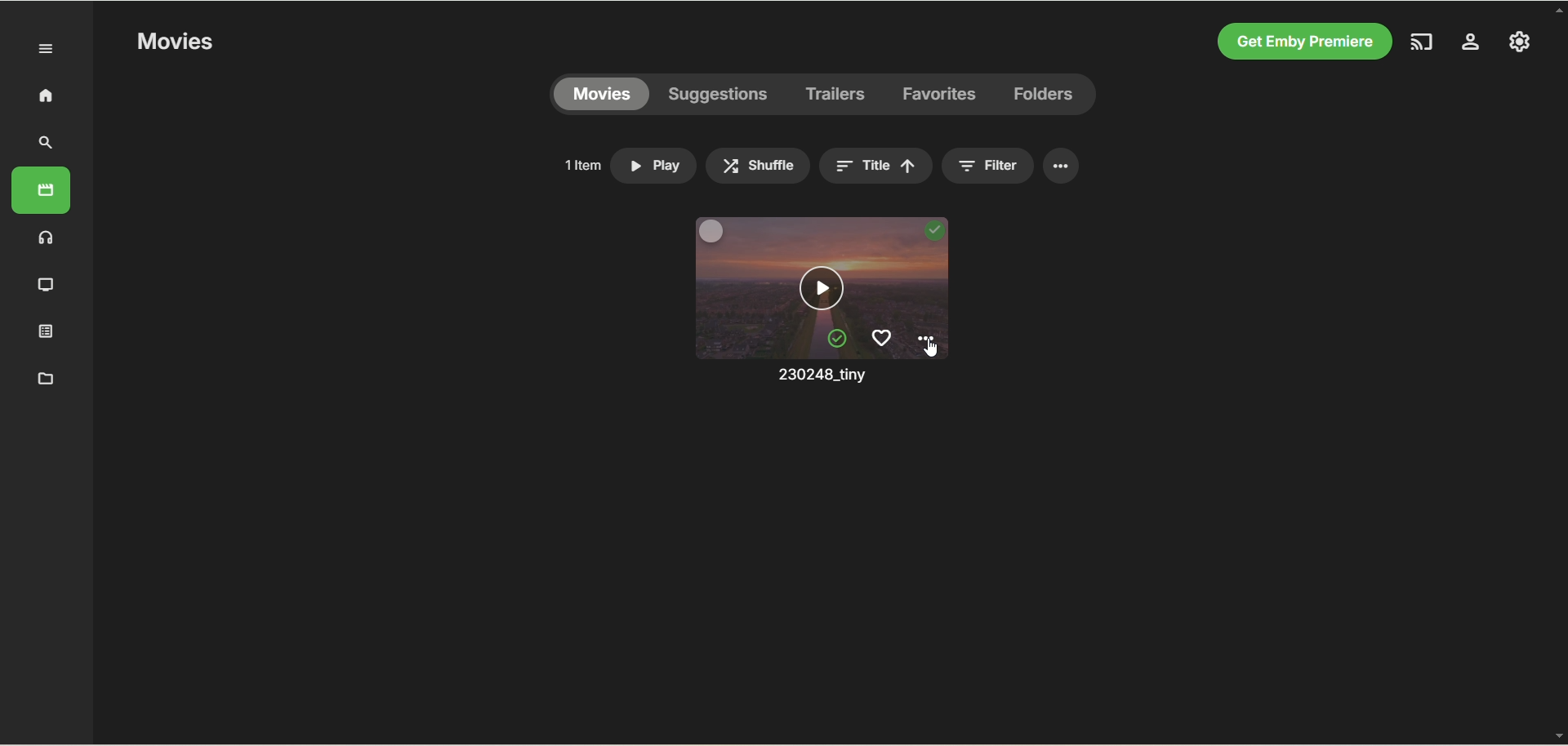  What do you see at coordinates (930, 349) in the screenshot?
I see `Cursor` at bounding box center [930, 349].